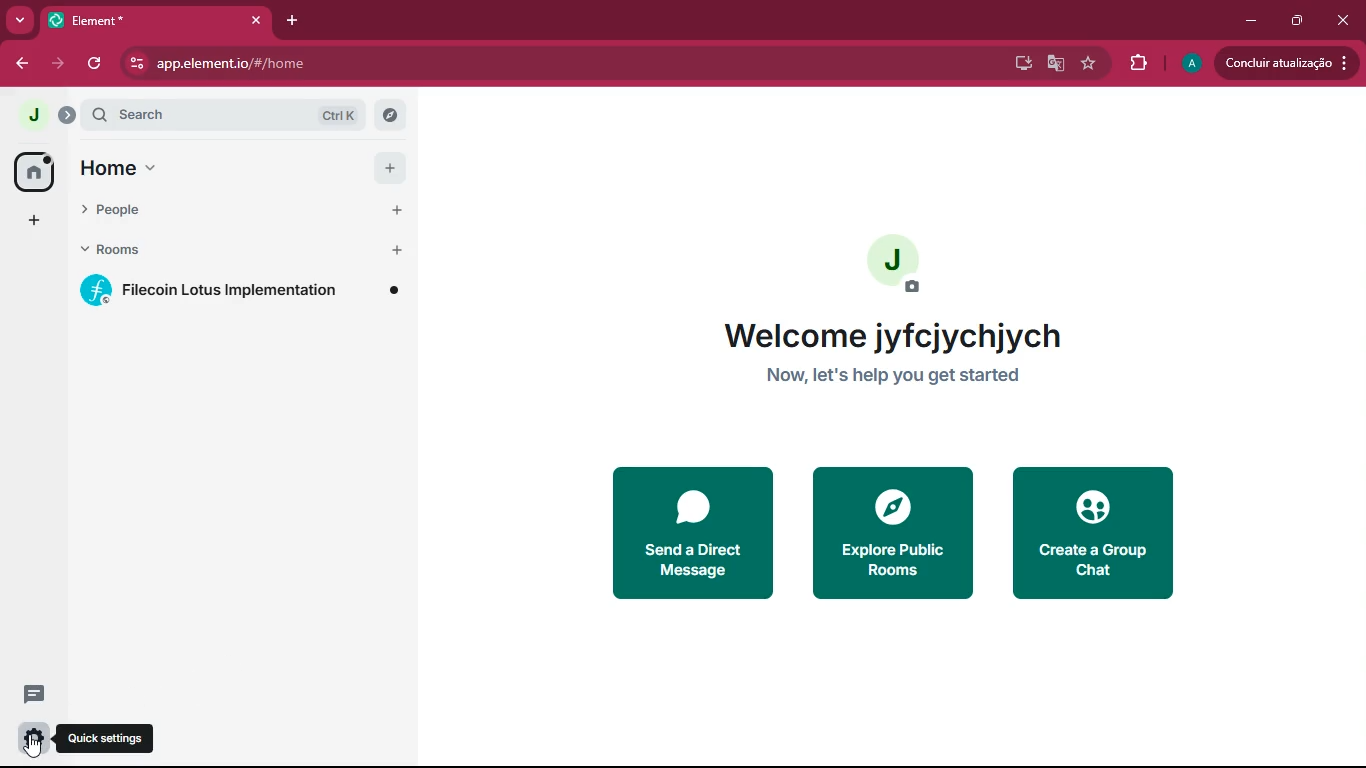 The width and height of the screenshot is (1366, 768). What do you see at coordinates (34, 171) in the screenshot?
I see `home` at bounding box center [34, 171].